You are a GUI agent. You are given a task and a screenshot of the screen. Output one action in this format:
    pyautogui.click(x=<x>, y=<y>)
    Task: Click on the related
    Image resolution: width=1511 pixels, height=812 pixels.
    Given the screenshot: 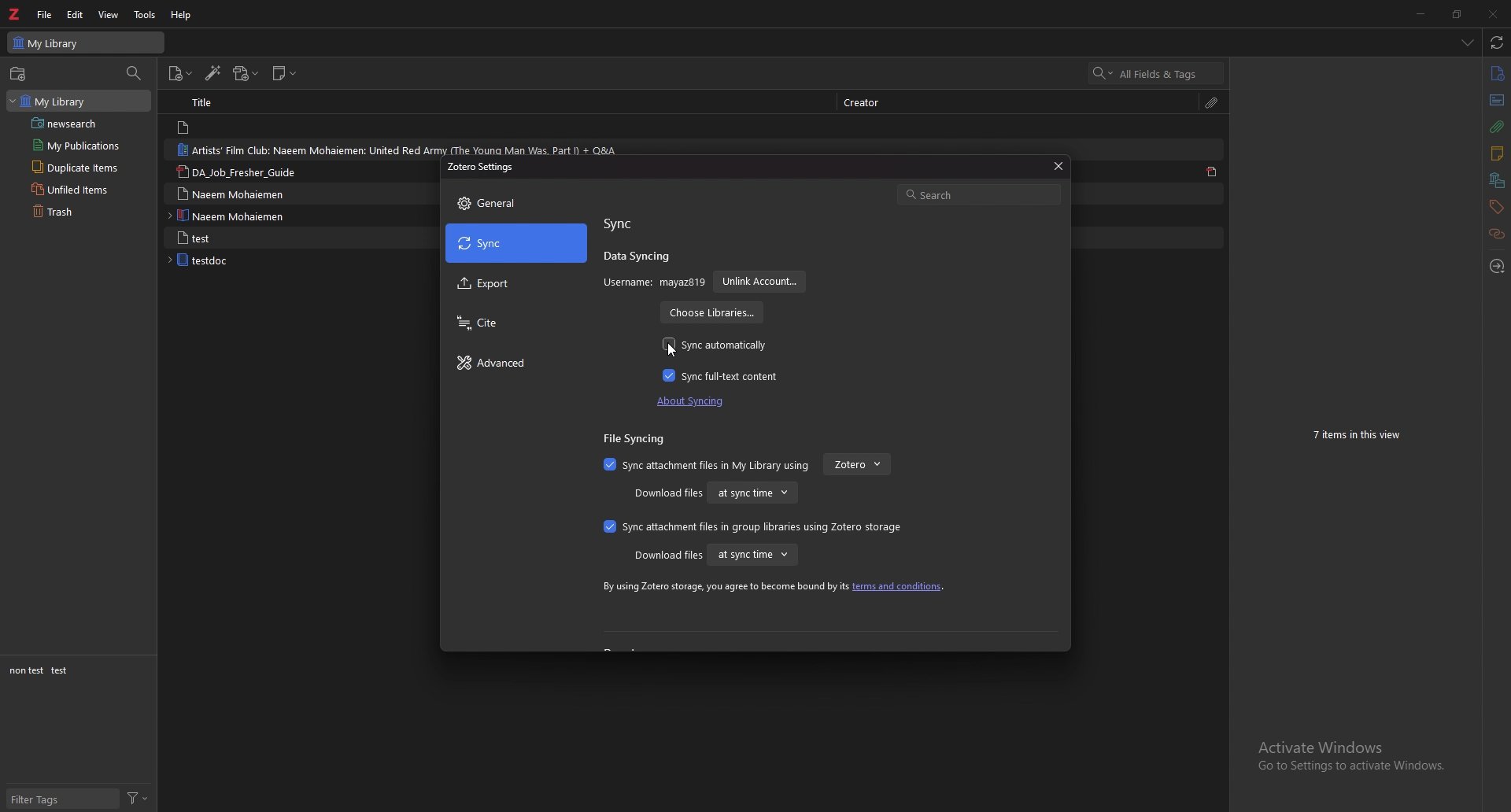 What is the action you would take?
    pyautogui.click(x=1498, y=233)
    